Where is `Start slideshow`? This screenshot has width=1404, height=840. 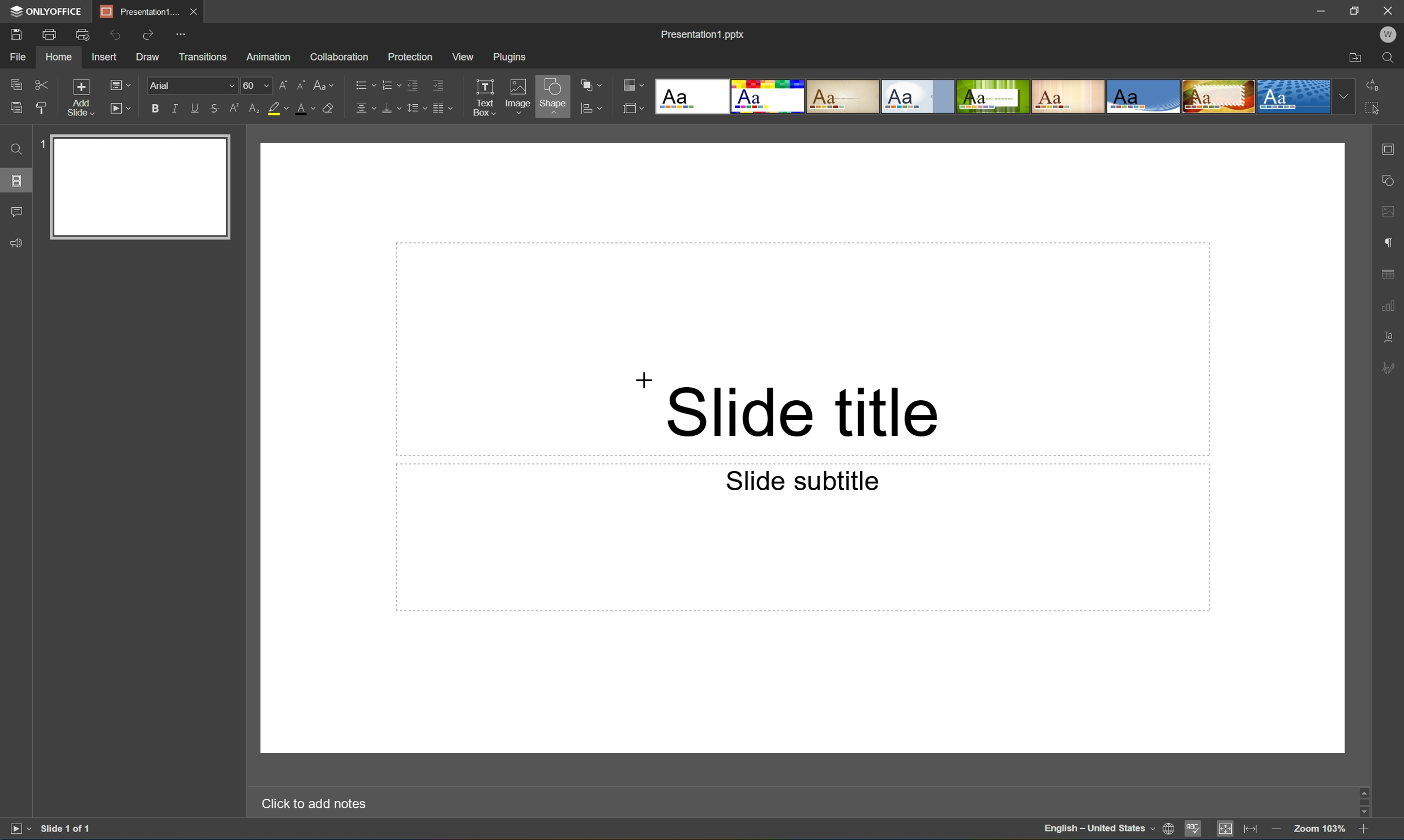 Start slideshow is located at coordinates (16, 831).